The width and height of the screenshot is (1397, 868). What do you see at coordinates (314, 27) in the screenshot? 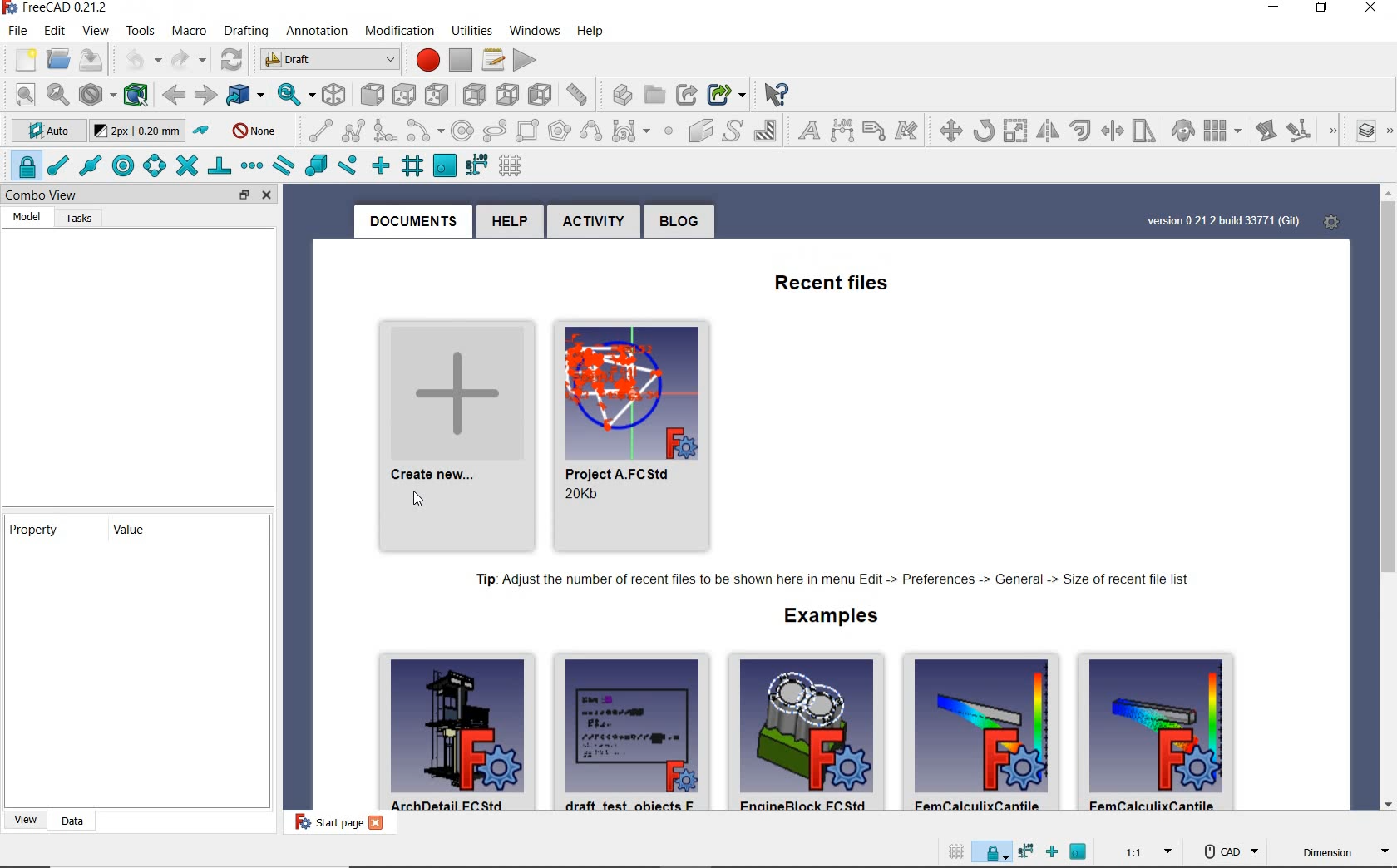
I see `windows` at bounding box center [314, 27].